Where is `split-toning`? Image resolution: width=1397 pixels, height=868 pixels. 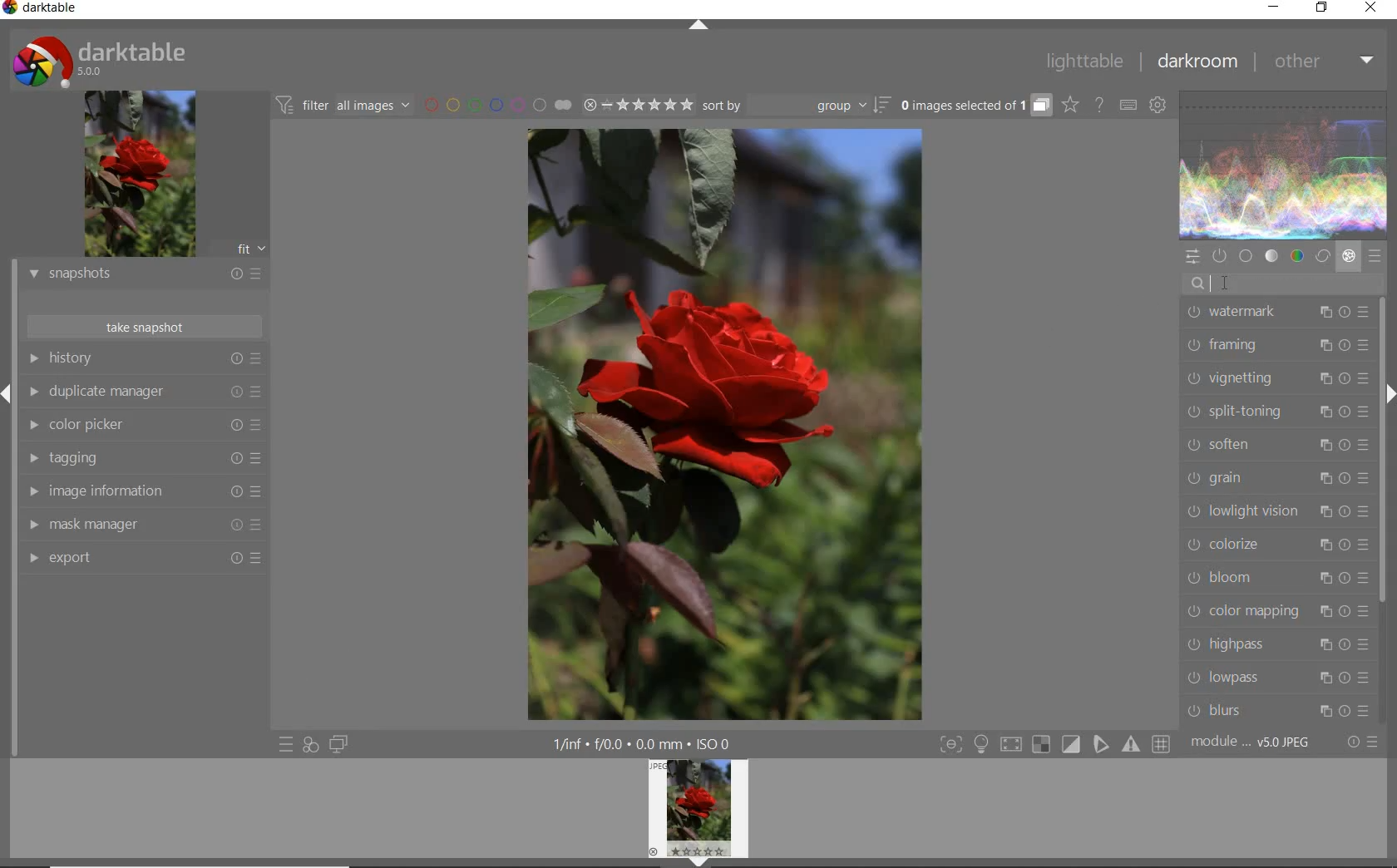
split-toning is located at coordinates (1274, 411).